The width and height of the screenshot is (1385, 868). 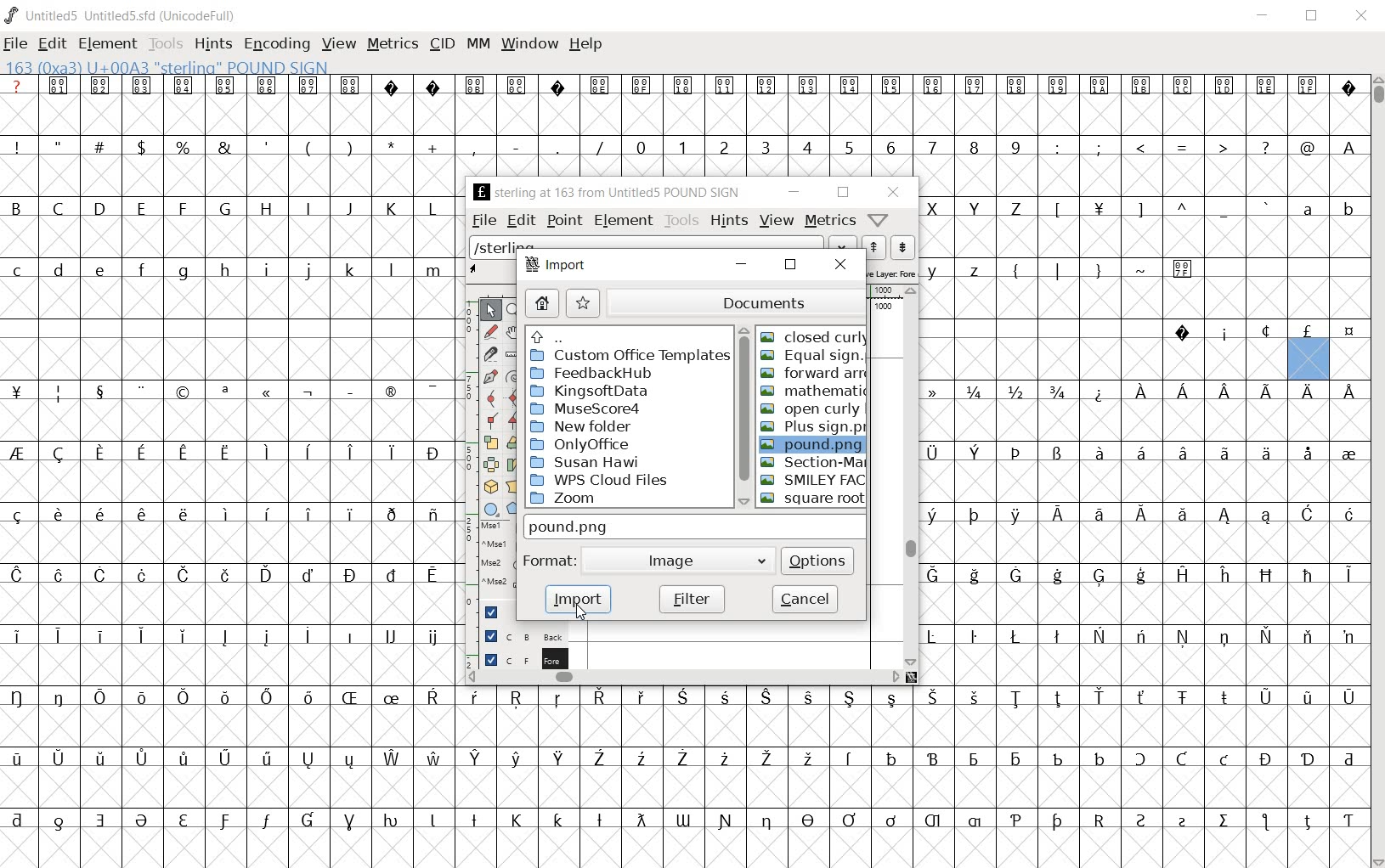 I want to click on -, so click(x=516, y=146).